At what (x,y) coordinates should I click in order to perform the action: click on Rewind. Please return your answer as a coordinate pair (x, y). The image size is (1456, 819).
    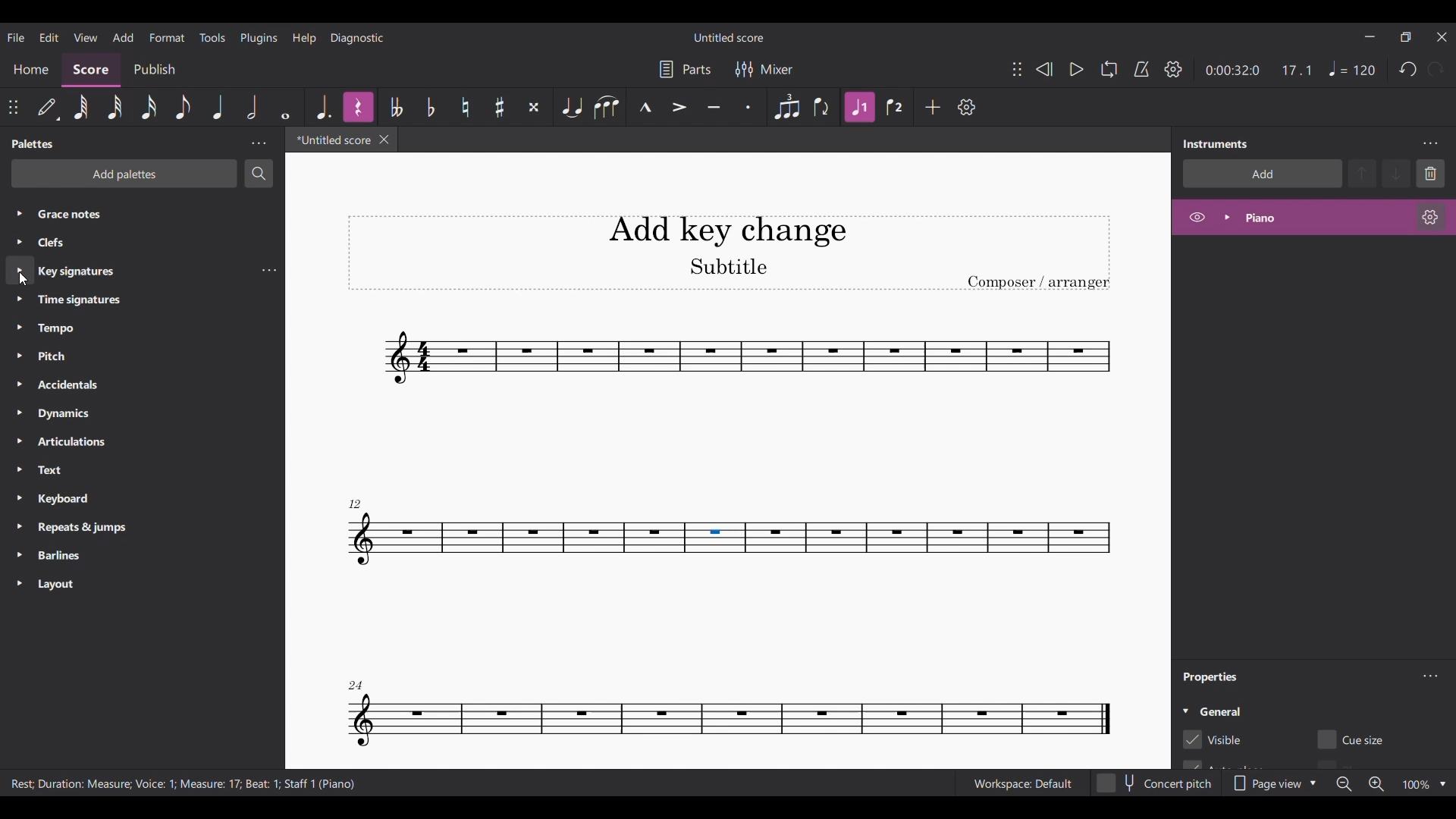
    Looking at the image, I should click on (1043, 70).